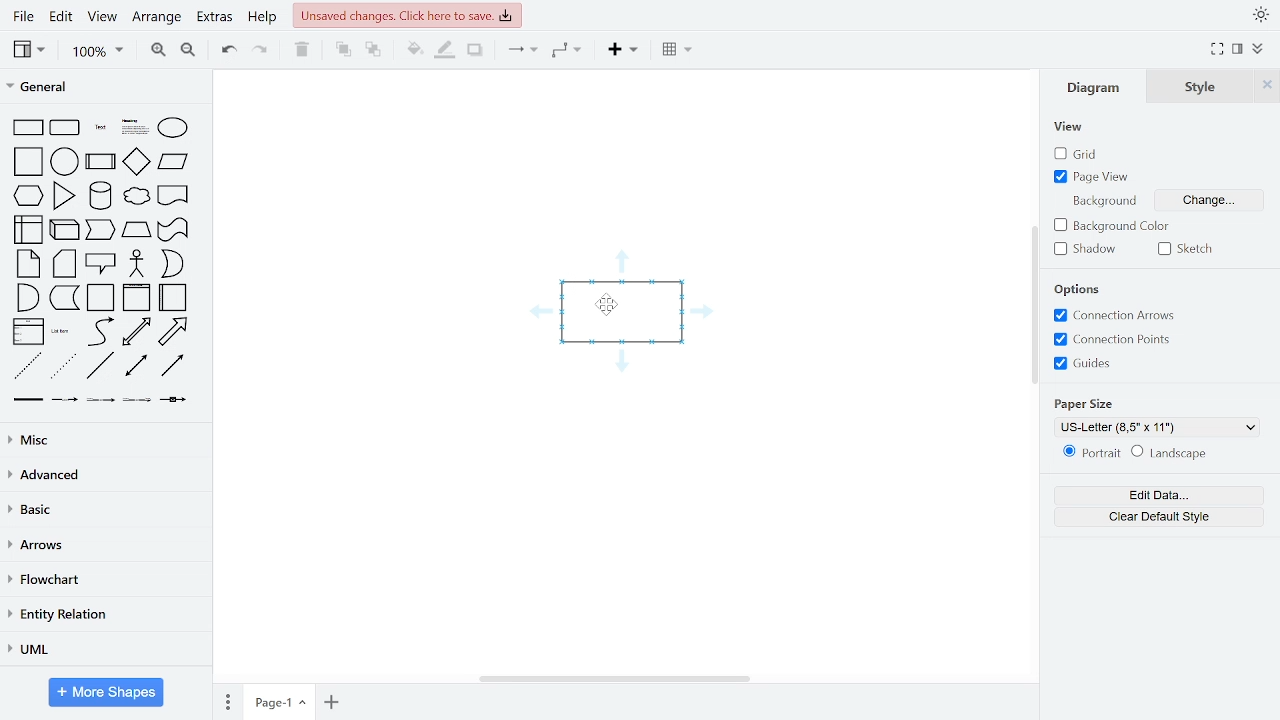 This screenshot has height=720, width=1280. I want to click on zoom out, so click(190, 50).